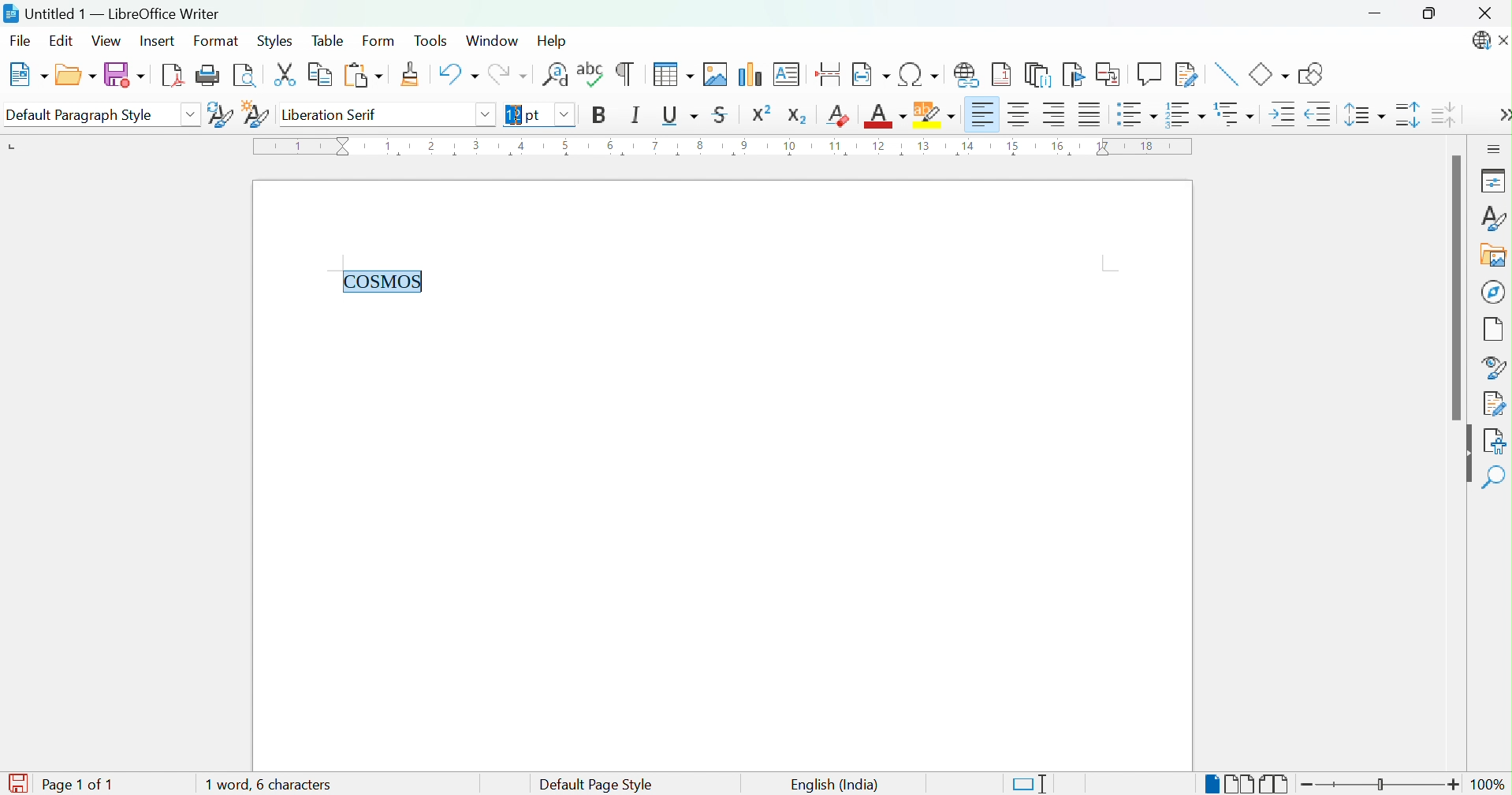 This screenshot has height=795, width=1512. Describe the element at coordinates (1136, 116) in the screenshot. I see `Toggle unordered list` at that location.